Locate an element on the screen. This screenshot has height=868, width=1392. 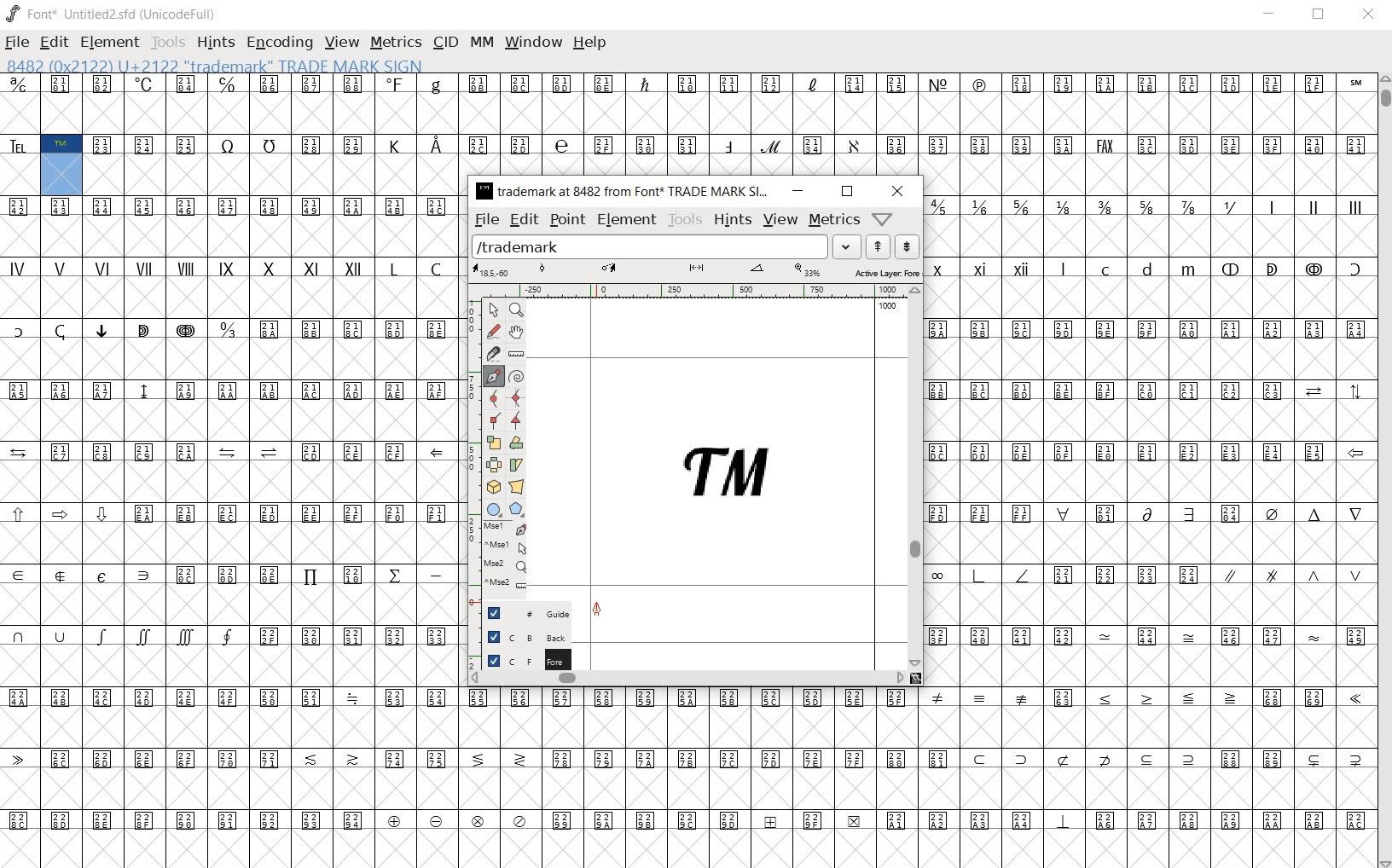
rotate the selection in 3D and project back to plane is located at coordinates (493, 488).